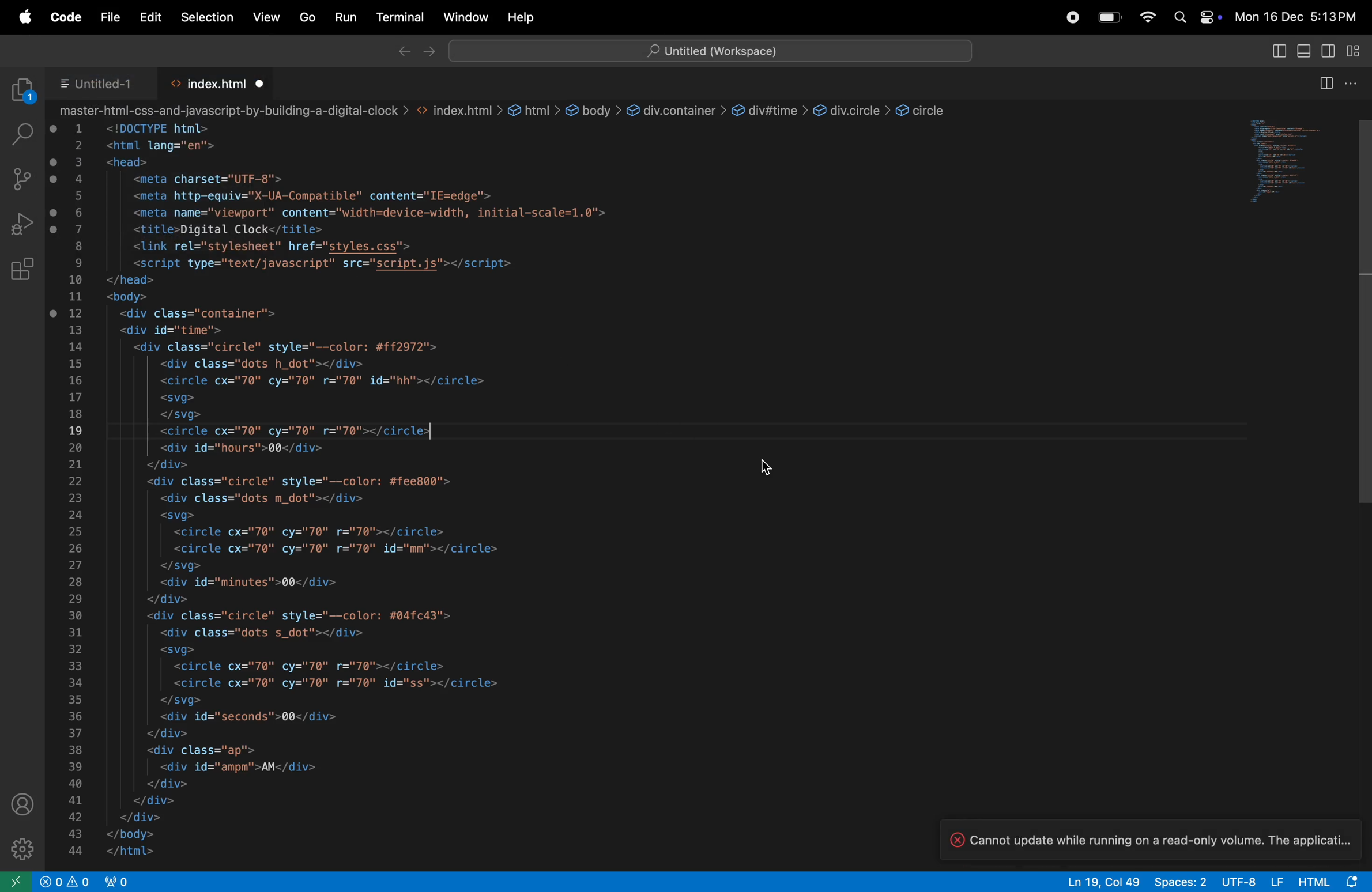  Describe the element at coordinates (137, 852) in the screenshot. I see `</html>` at that location.